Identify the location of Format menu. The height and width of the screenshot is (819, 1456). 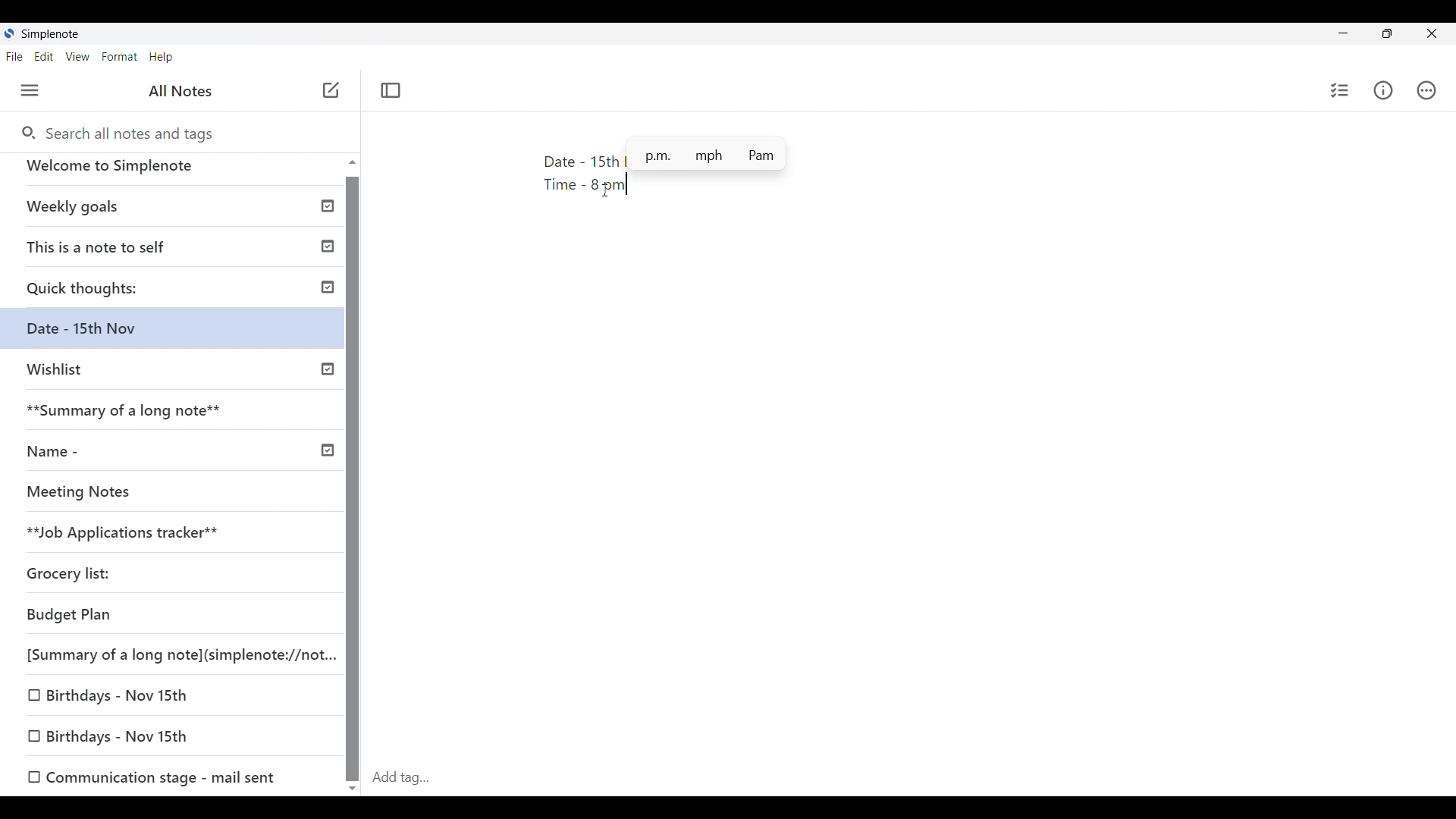
(120, 57).